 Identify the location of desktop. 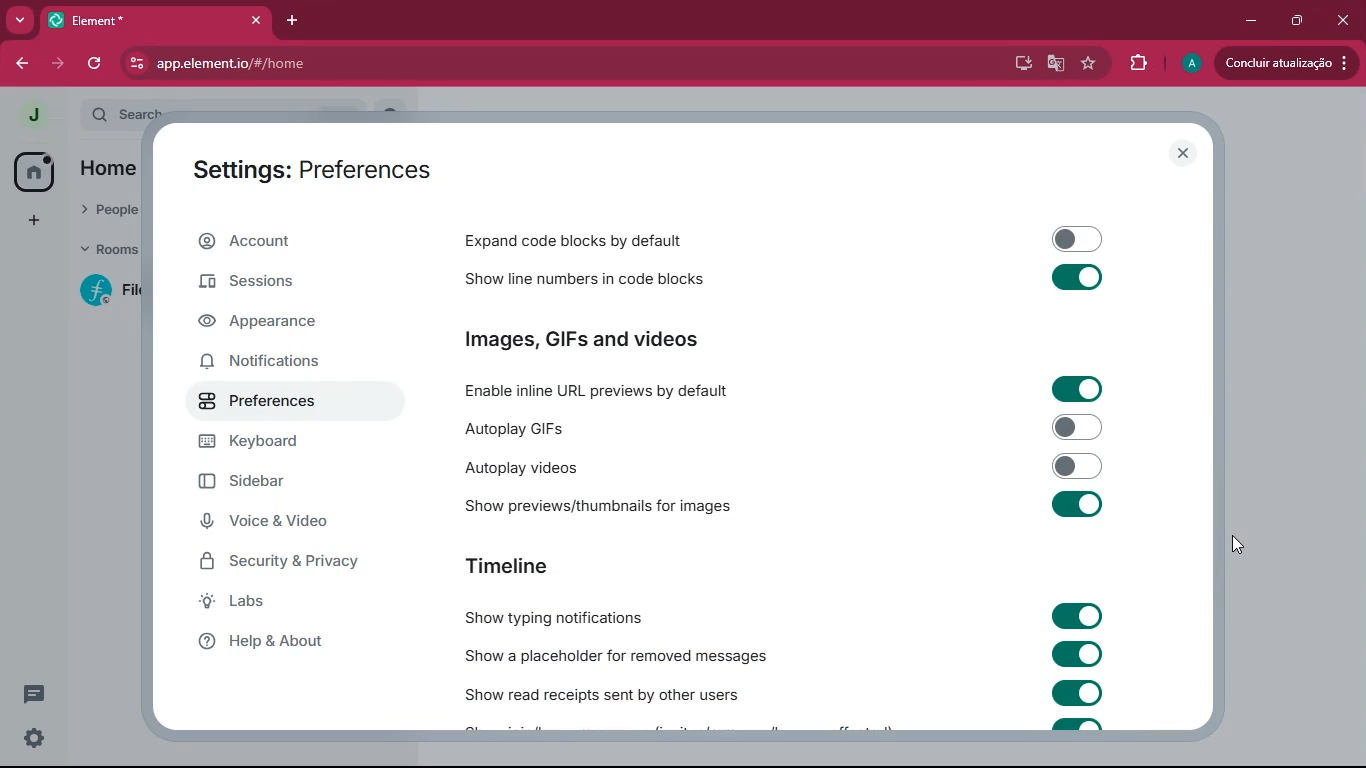
(1022, 65).